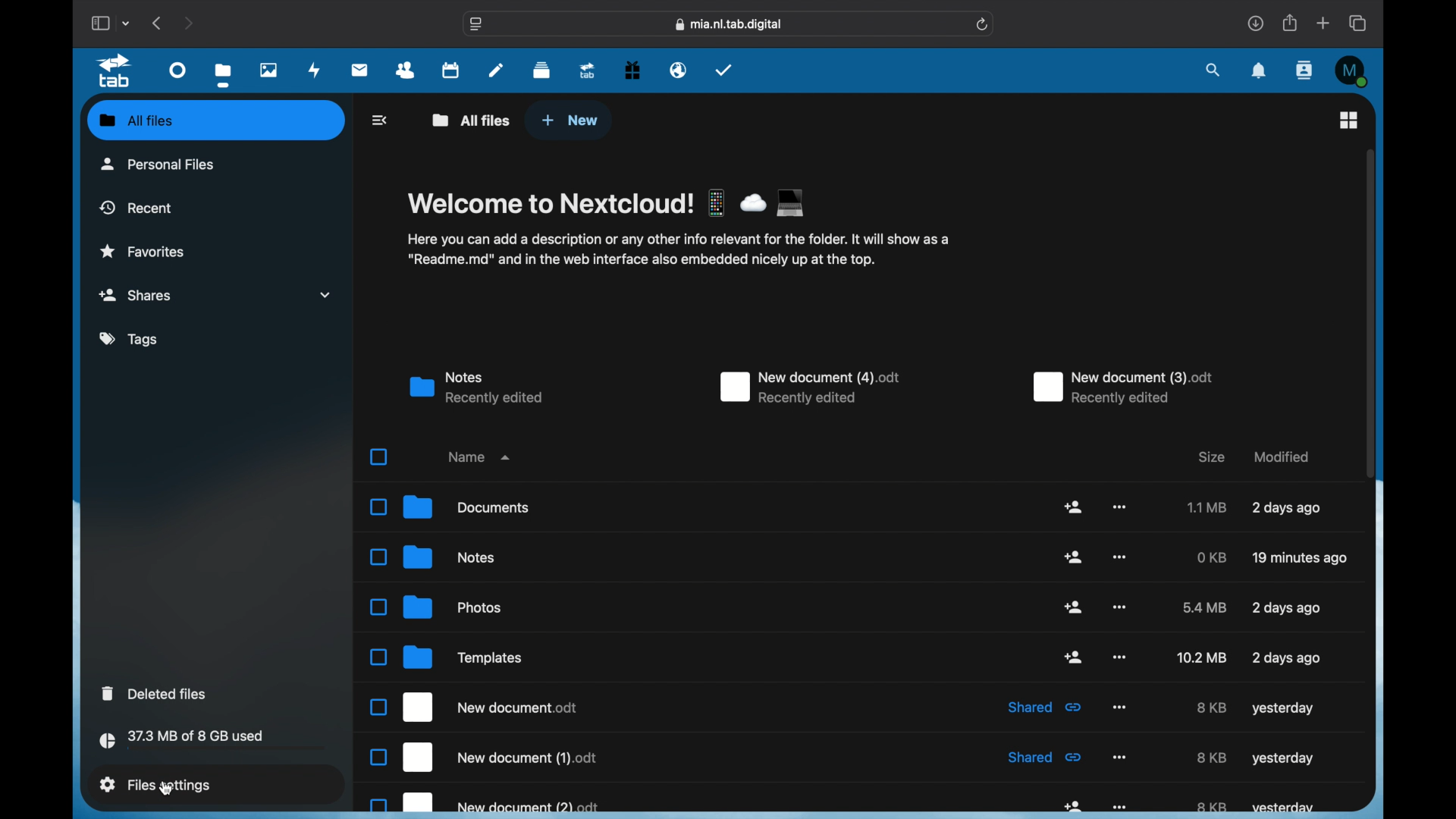 This screenshot has height=819, width=1456. What do you see at coordinates (1119, 507) in the screenshot?
I see `more options` at bounding box center [1119, 507].